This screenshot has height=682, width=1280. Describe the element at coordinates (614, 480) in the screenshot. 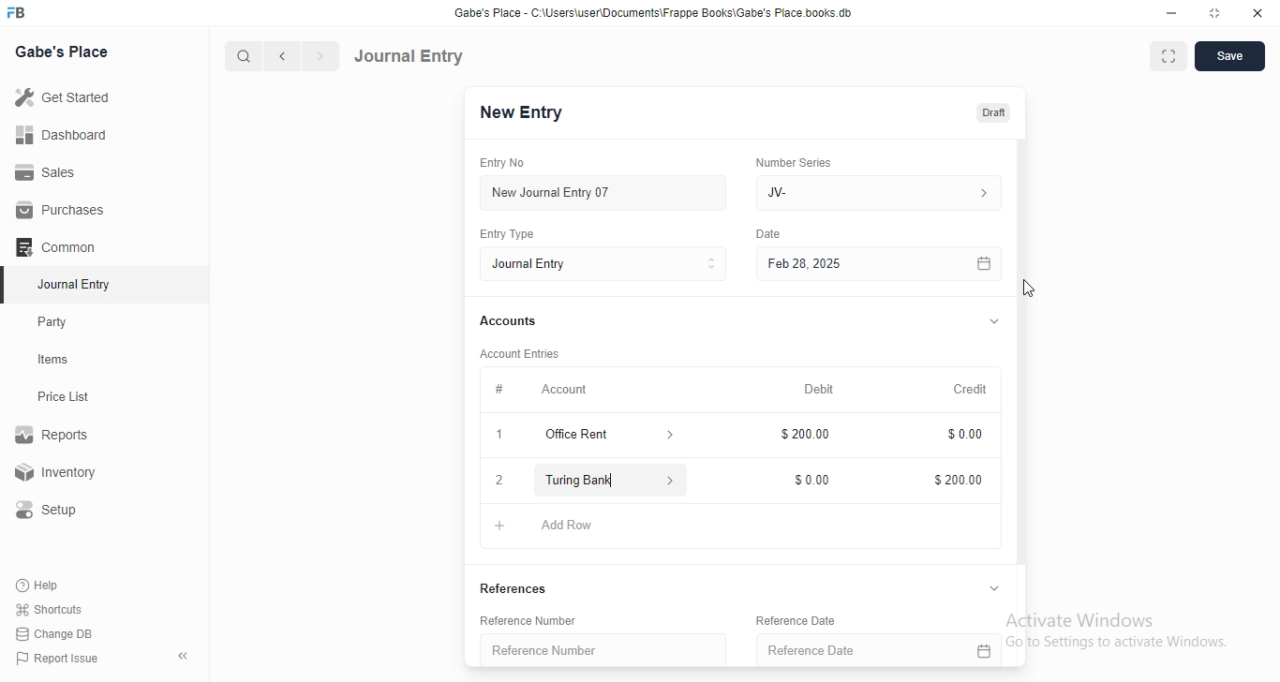

I see `cursor` at that location.